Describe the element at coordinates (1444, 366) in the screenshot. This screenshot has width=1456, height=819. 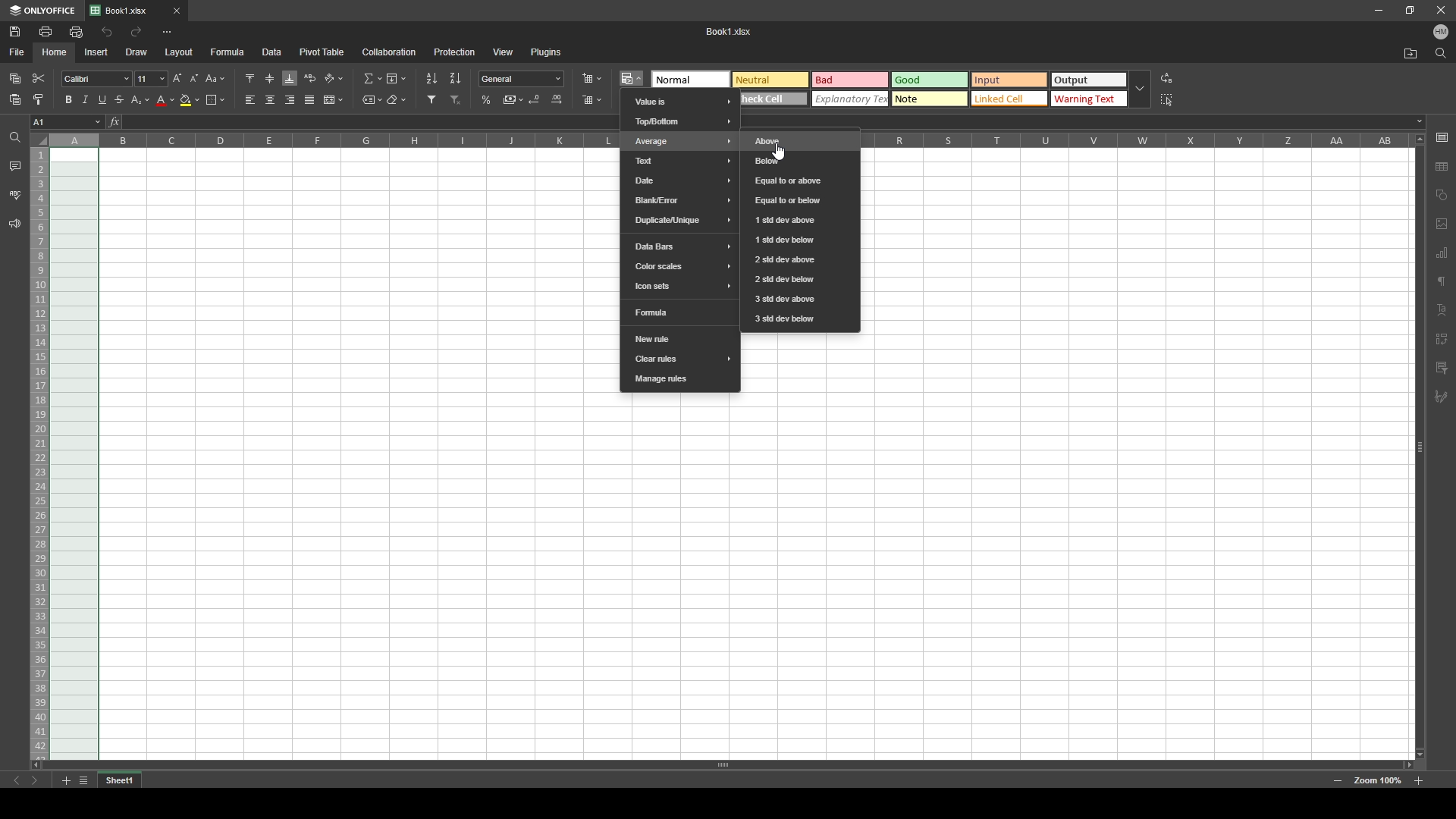
I see `comment` at that location.